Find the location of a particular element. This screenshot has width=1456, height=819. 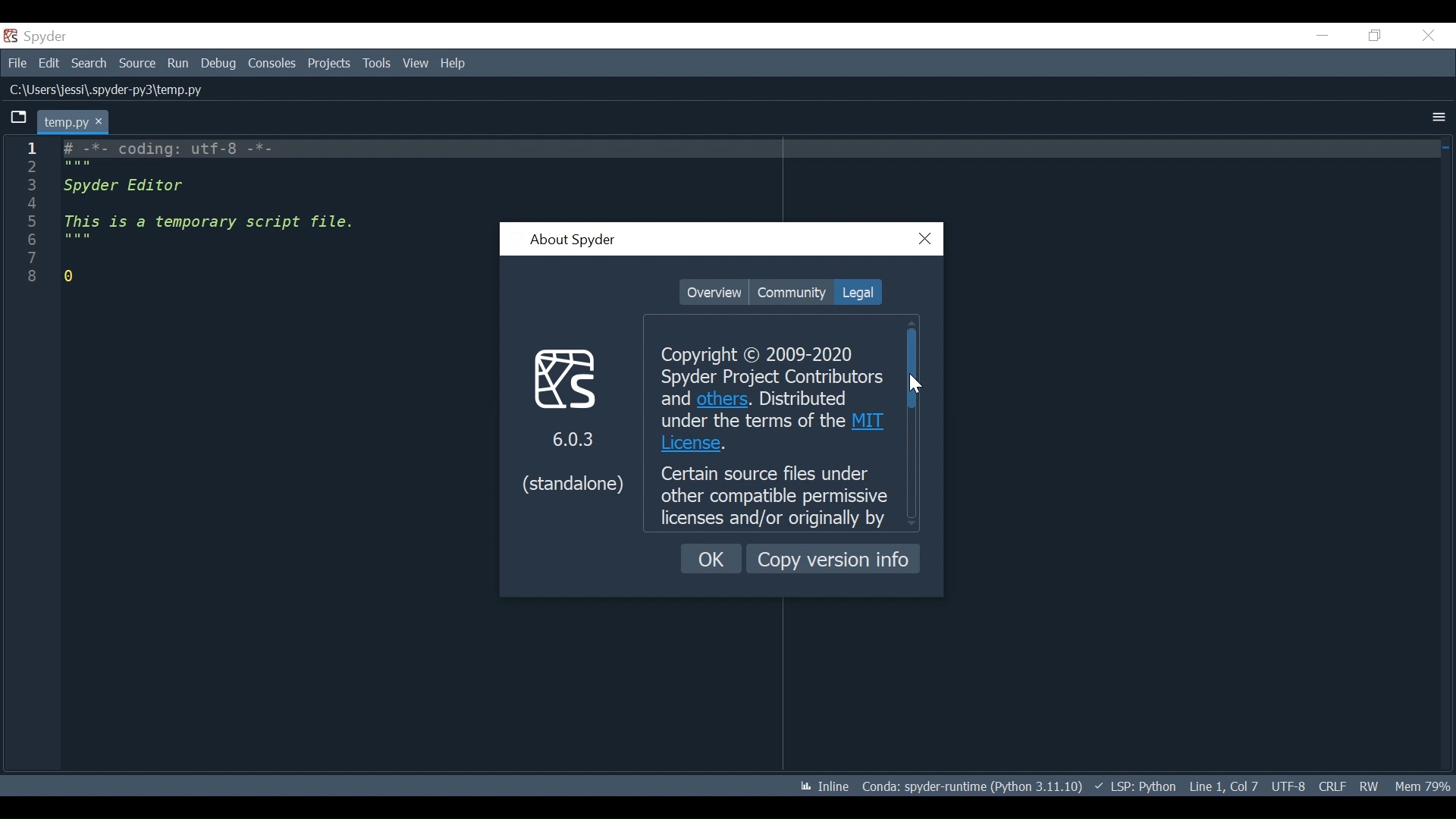

UTF-8 is located at coordinates (1291, 785).